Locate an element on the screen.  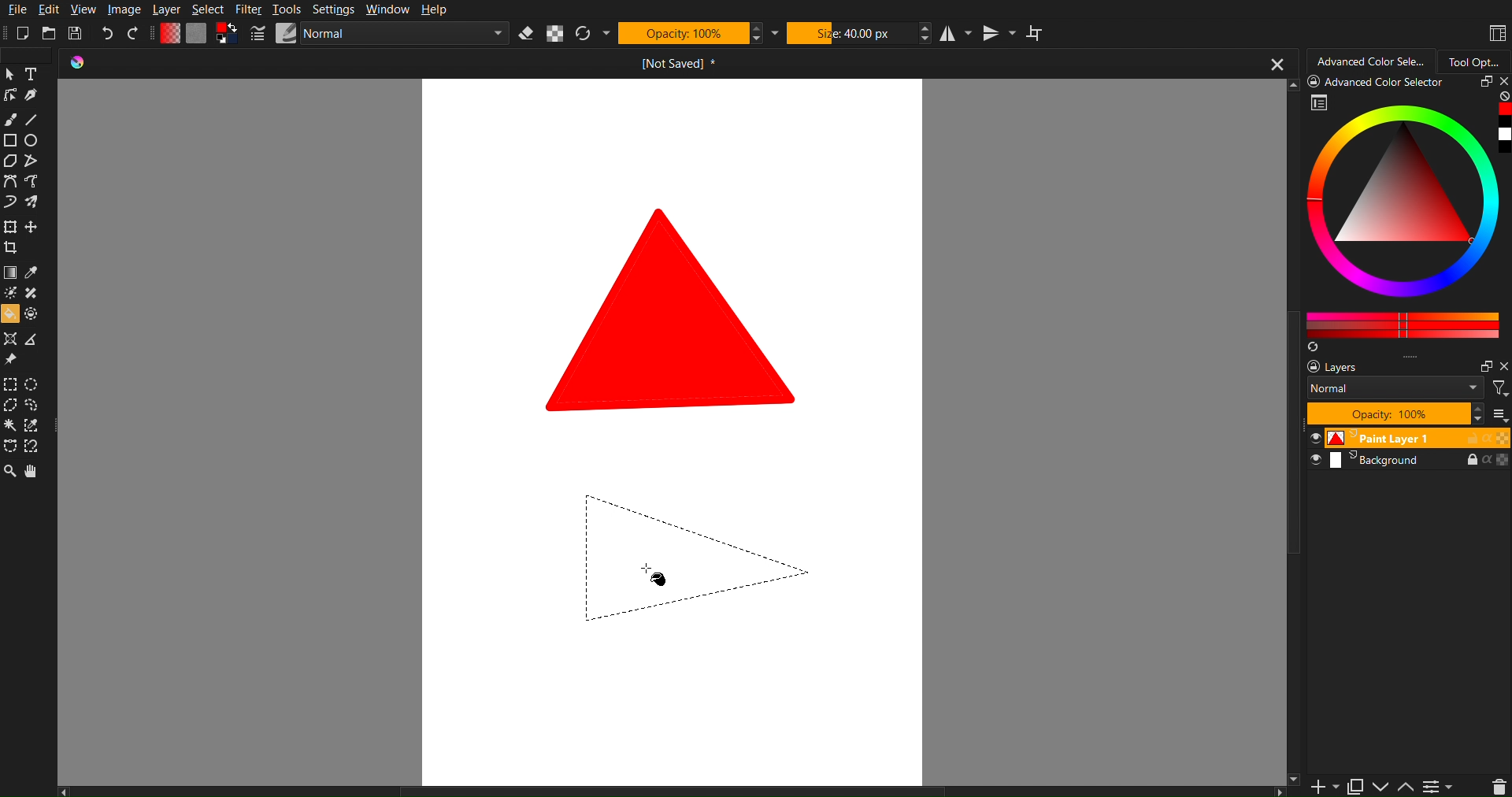
Pan is located at coordinates (39, 473).